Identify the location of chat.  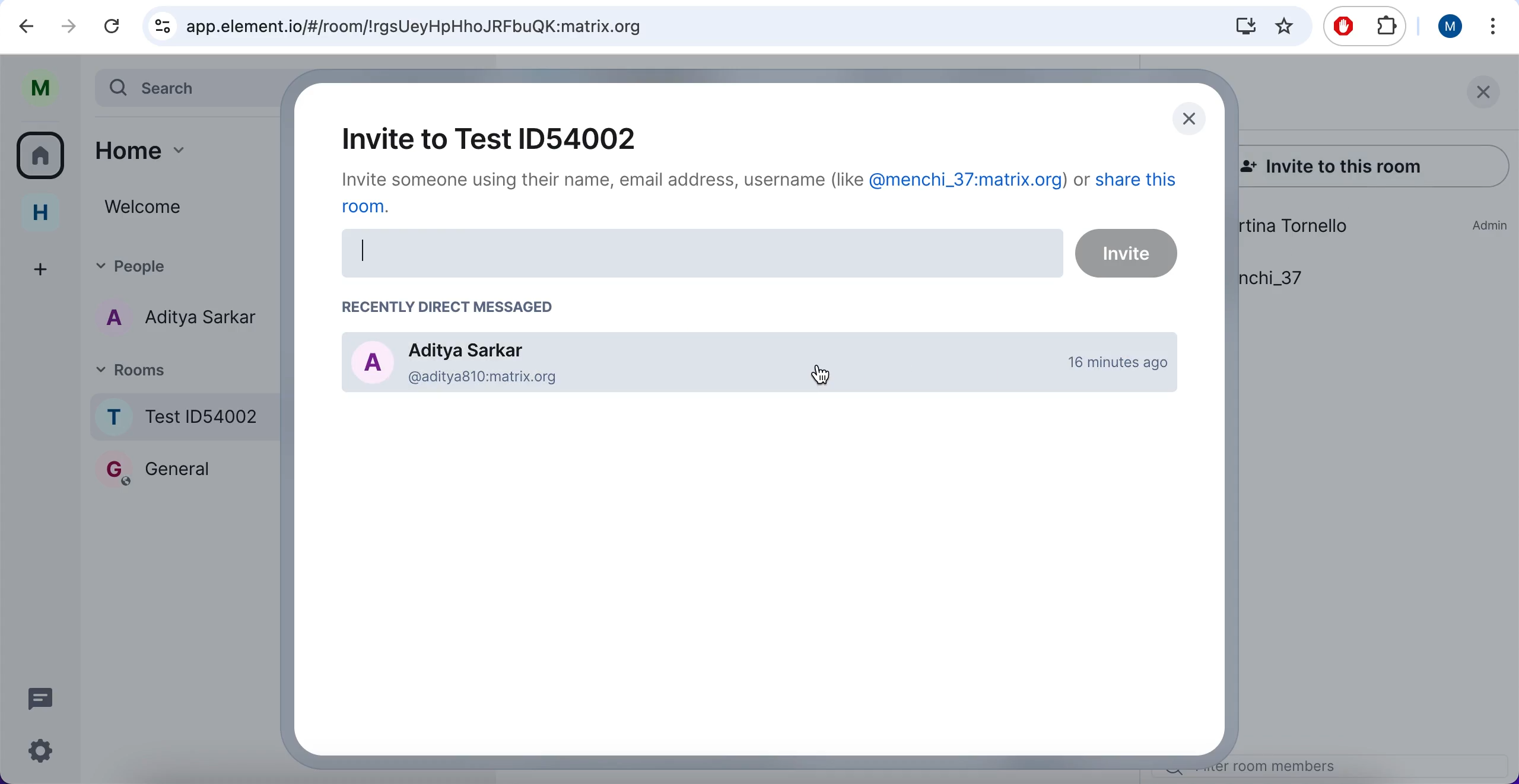
(46, 697).